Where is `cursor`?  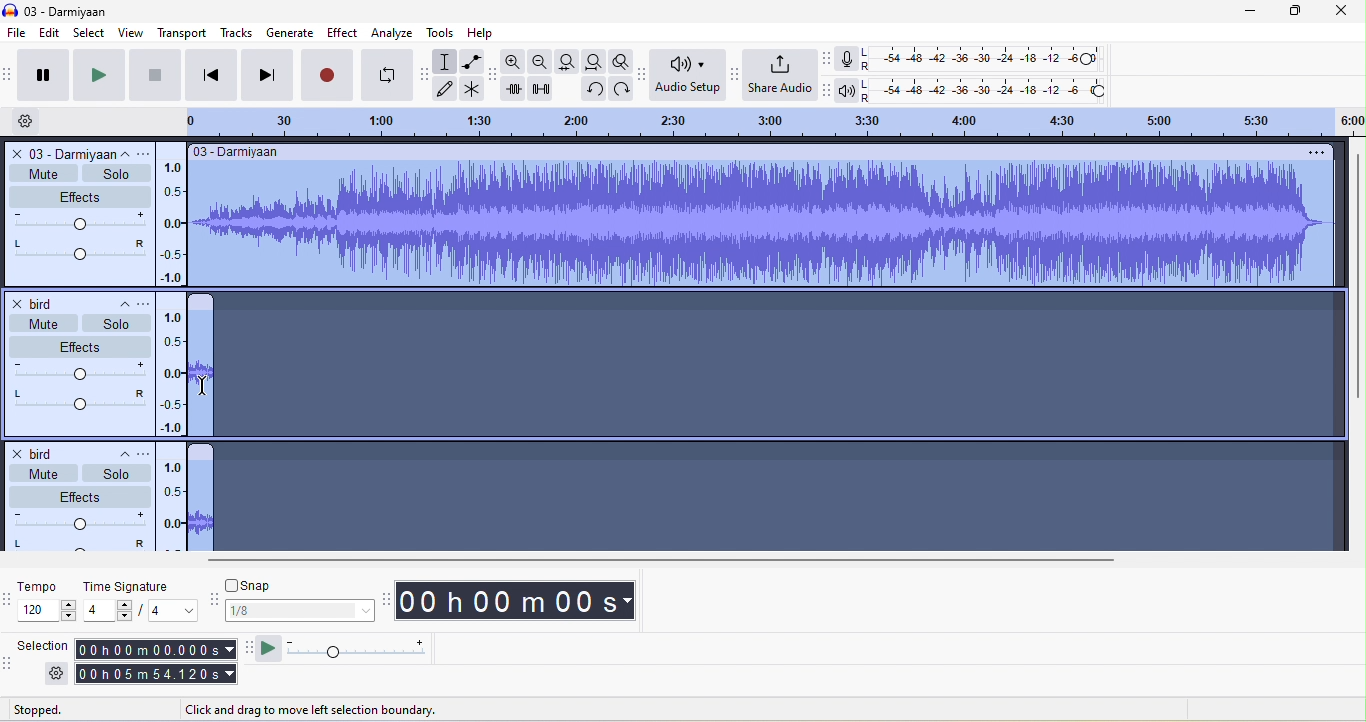
cursor is located at coordinates (203, 385).